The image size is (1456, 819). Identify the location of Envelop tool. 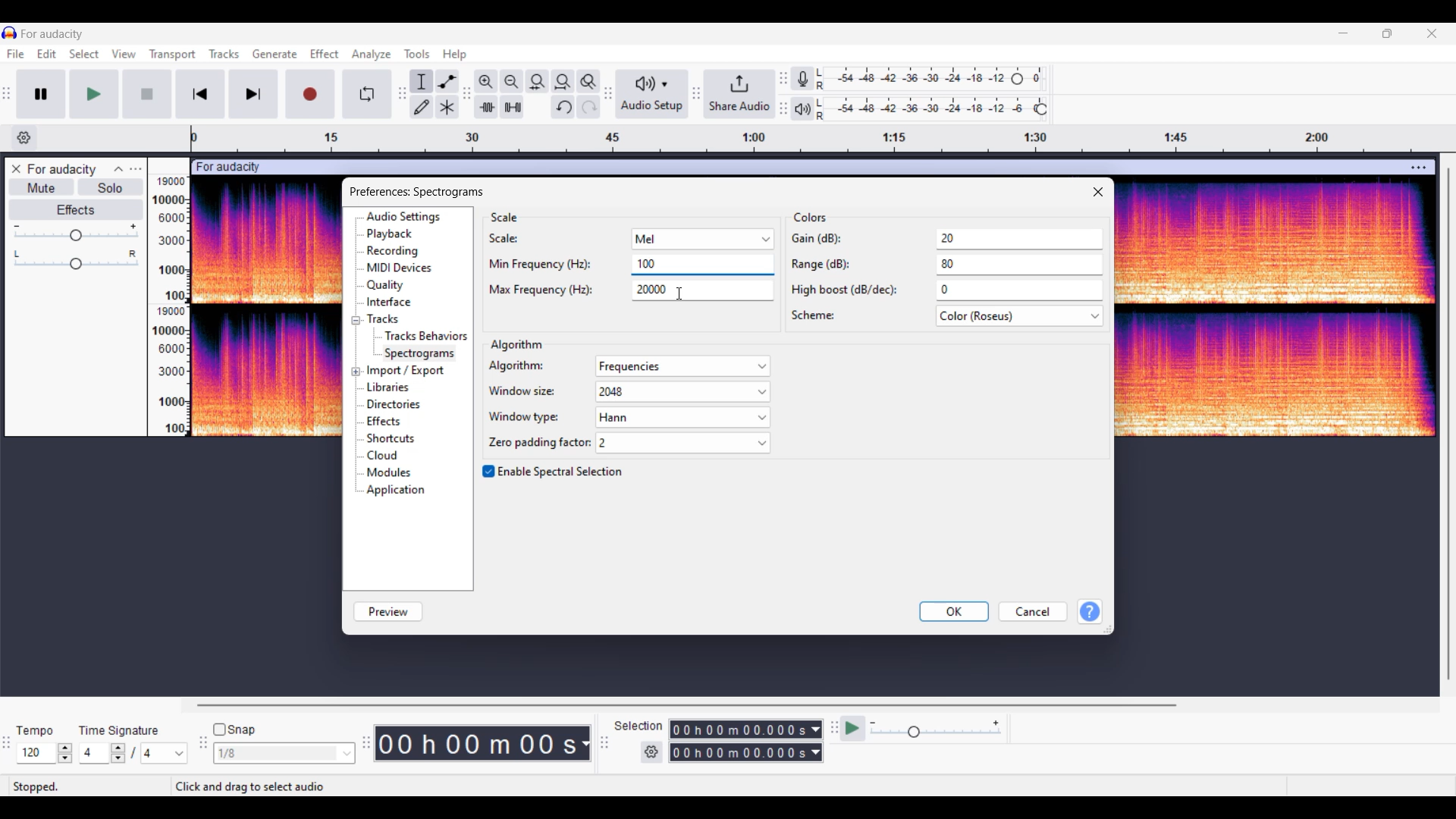
(447, 82).